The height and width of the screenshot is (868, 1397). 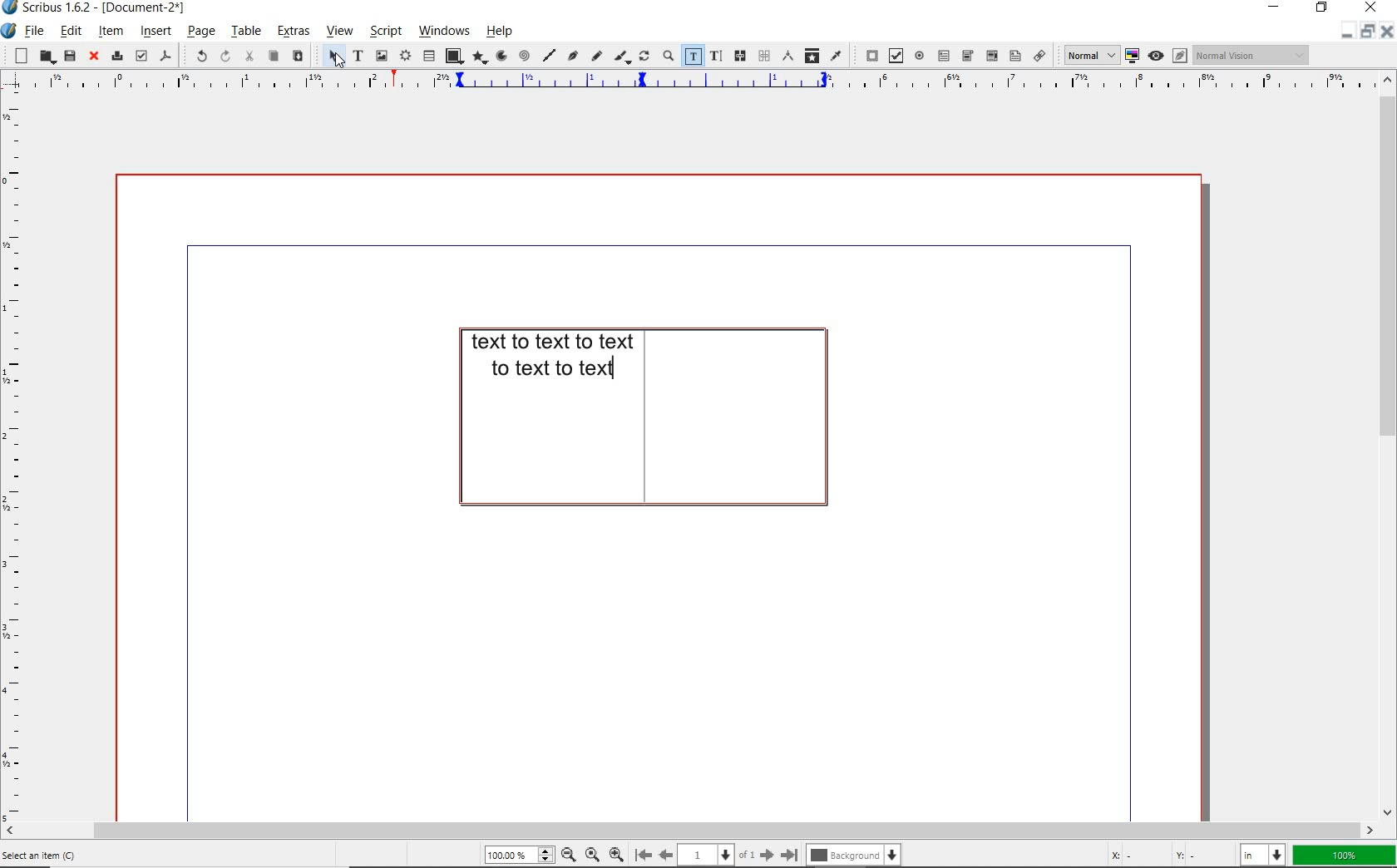 What do you see at coordinates (338, 31) in the screenshot?
I see `view` at bounding box center [338, 31].